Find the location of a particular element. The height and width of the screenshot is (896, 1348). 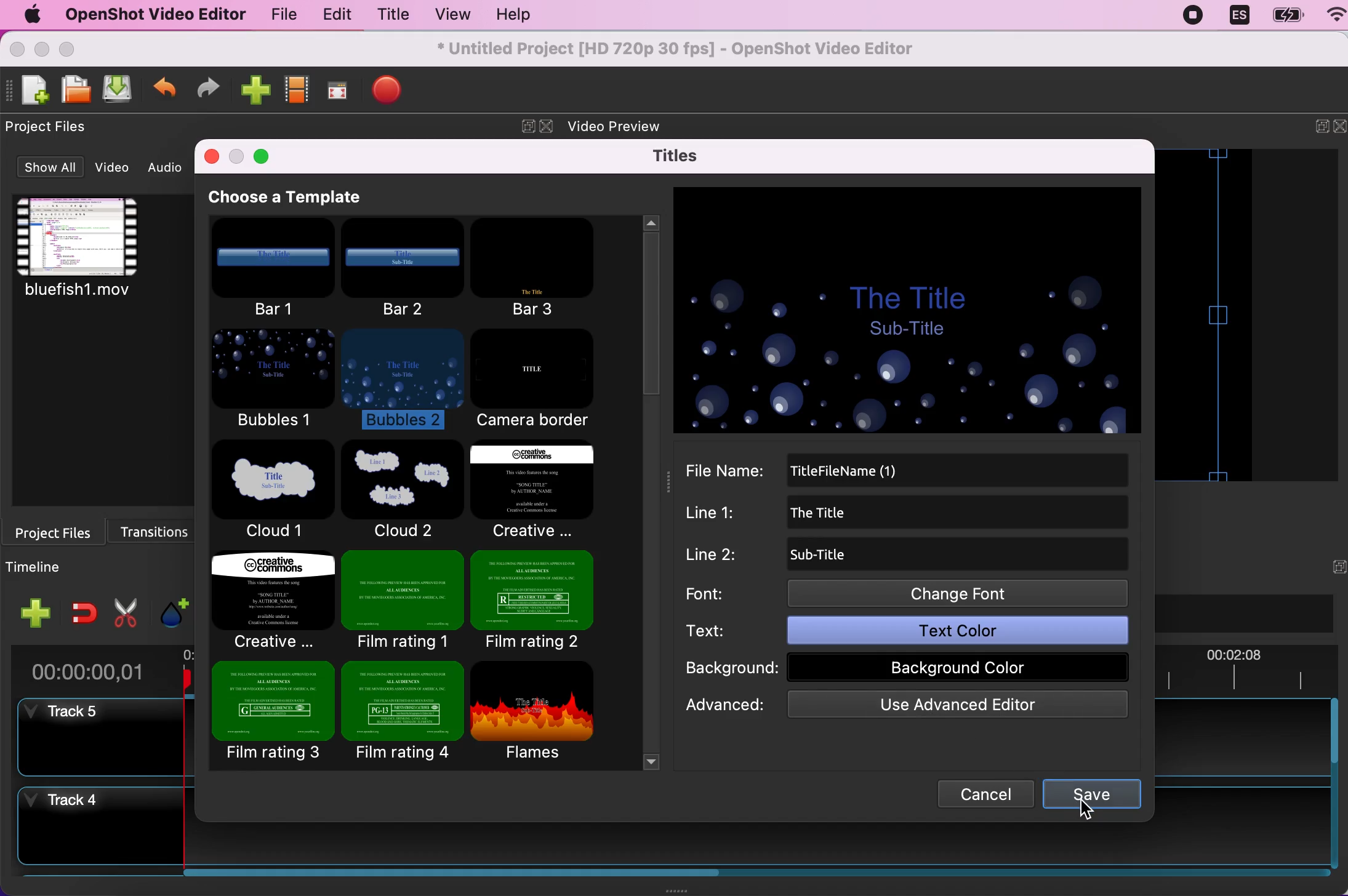

flames is located at coordinates (544, 711).